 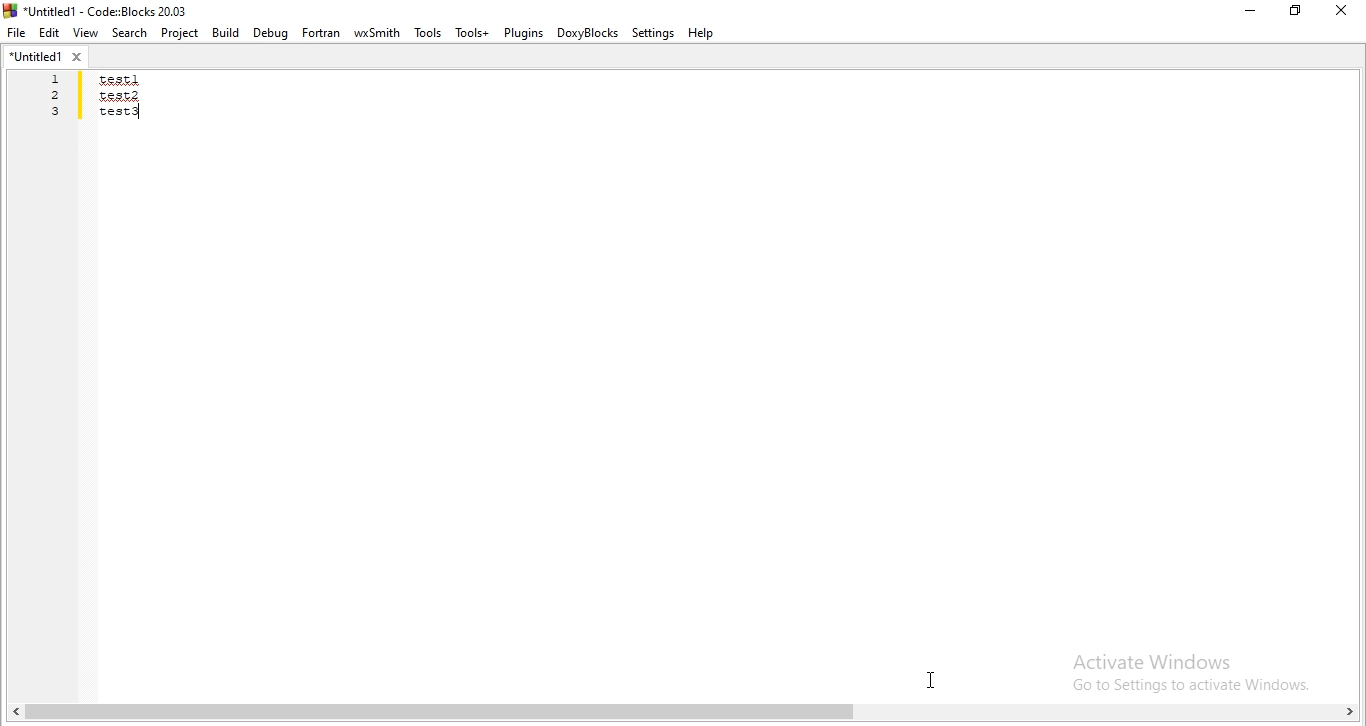 What do you see at coordinates (180, 34) in the screenshot?
I see `Project ` at bounding box center [180, 34].